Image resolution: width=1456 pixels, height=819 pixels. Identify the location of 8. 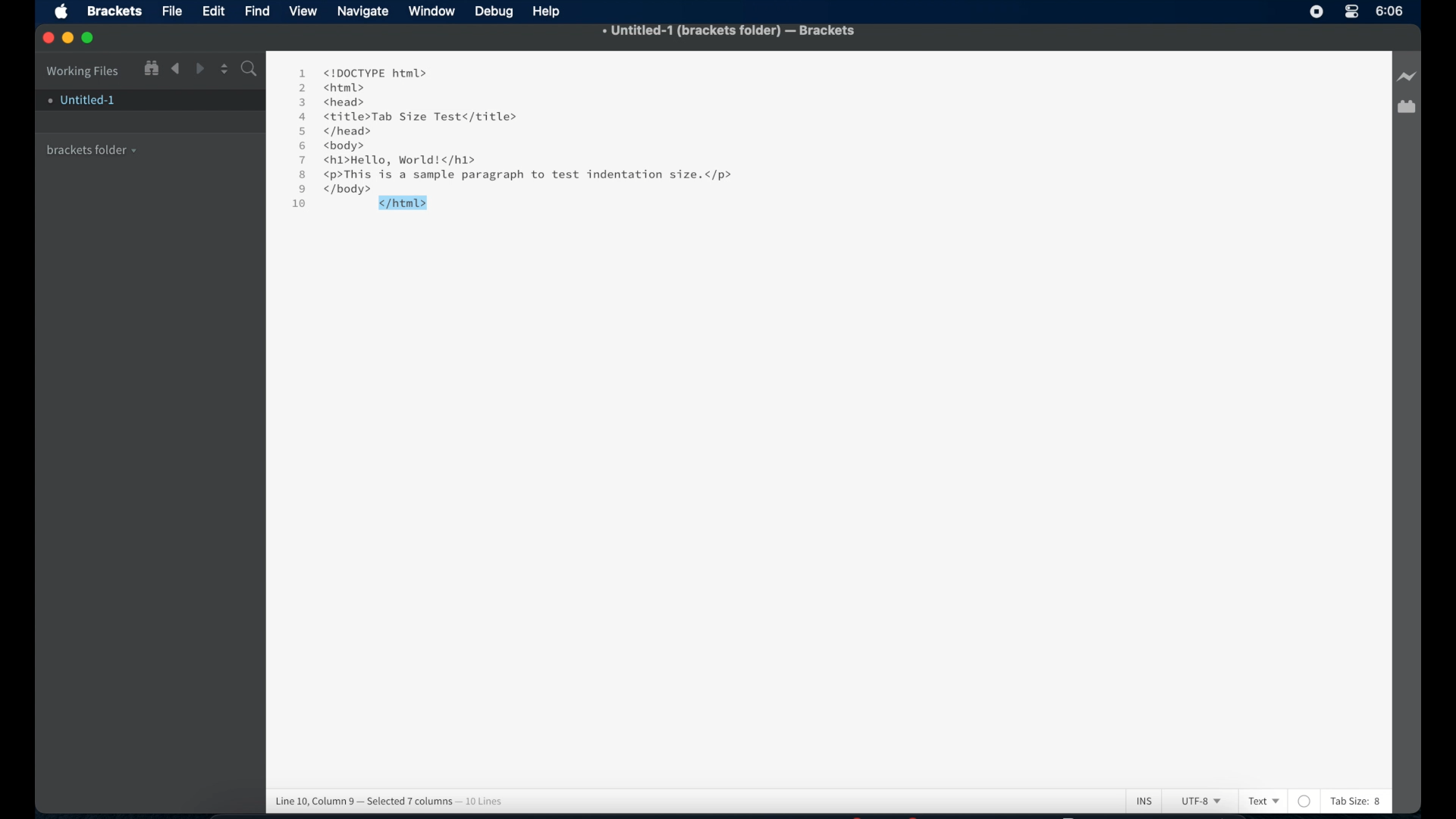
(1379, 802).